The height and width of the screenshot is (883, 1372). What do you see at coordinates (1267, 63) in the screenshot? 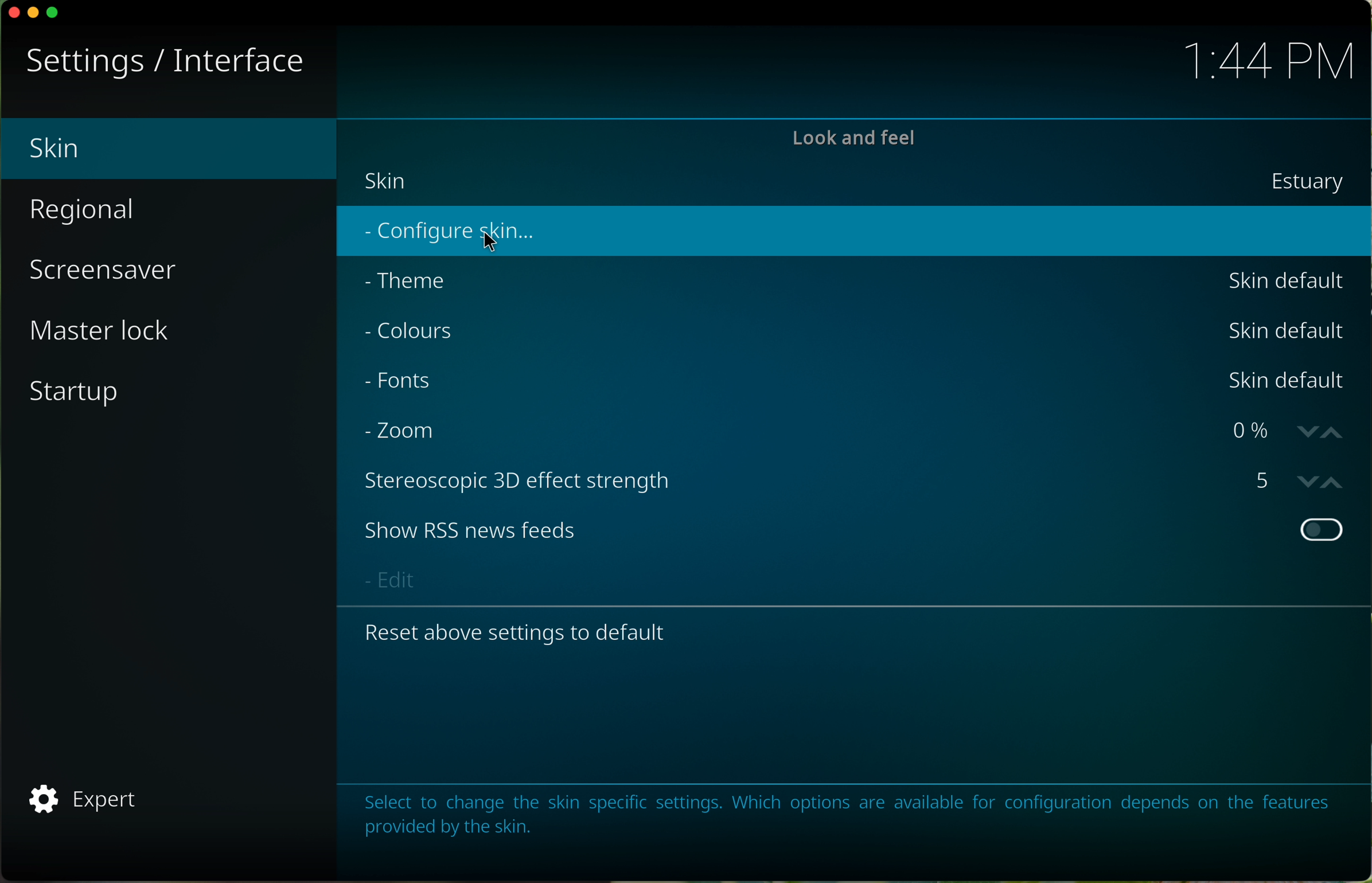
I see `hour` at bounding box center [1267, 63].